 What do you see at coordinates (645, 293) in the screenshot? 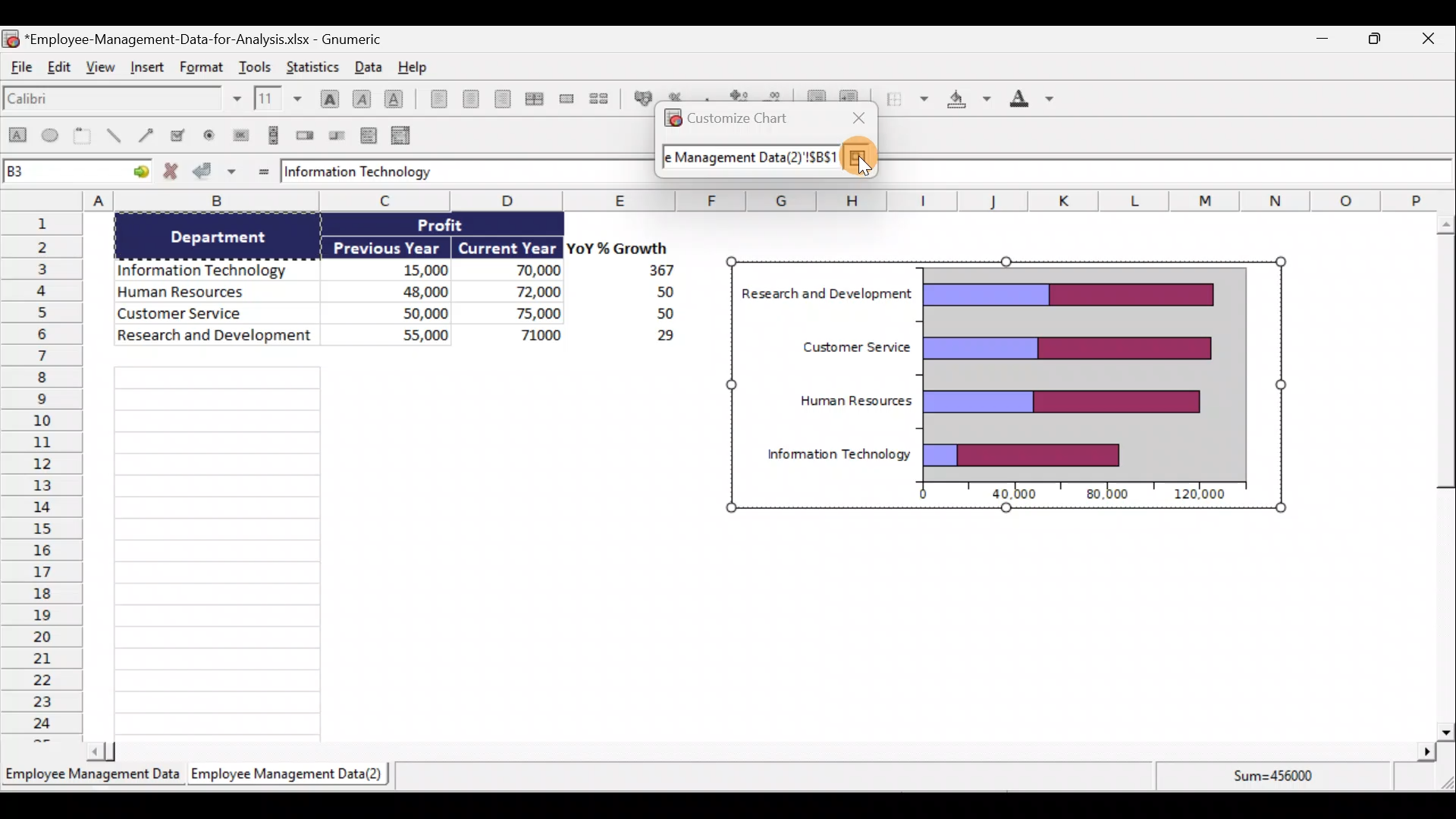
I see `50` at bounding box center [645, 293].